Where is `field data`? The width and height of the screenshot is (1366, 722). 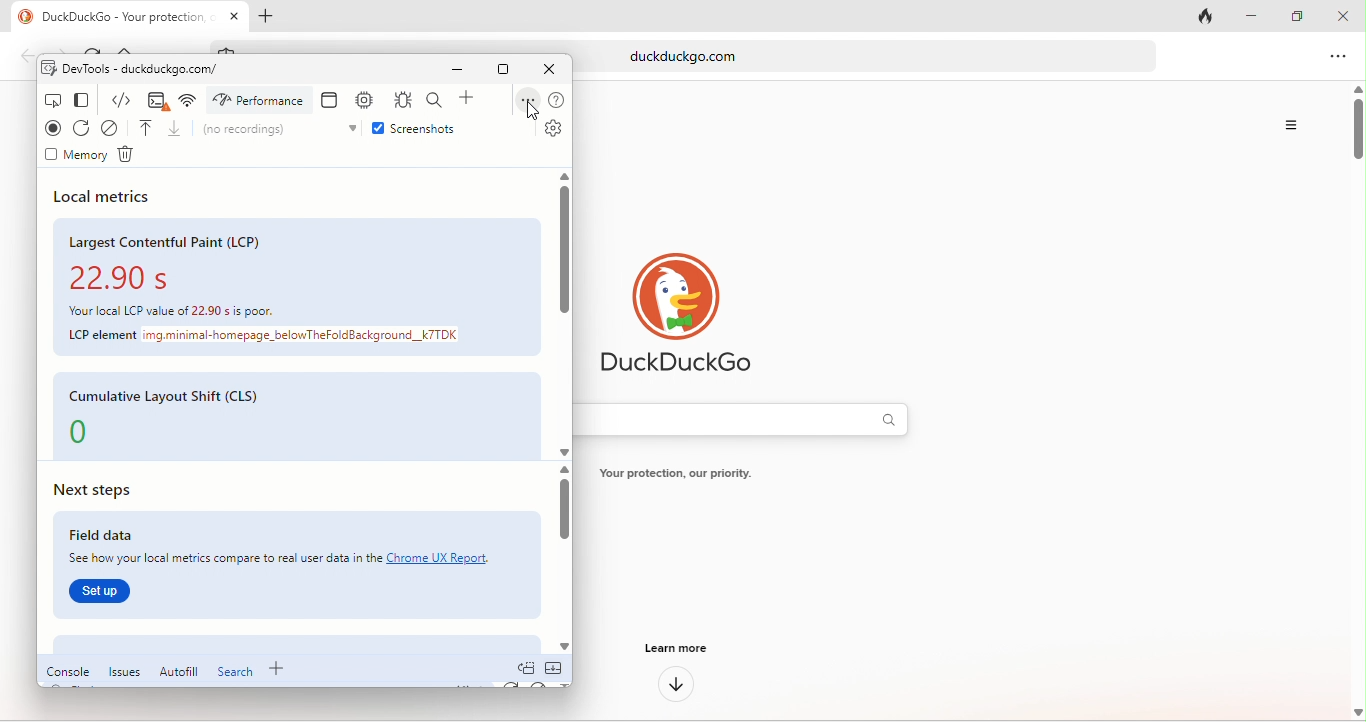
field data is located at coordinates (122, 535).